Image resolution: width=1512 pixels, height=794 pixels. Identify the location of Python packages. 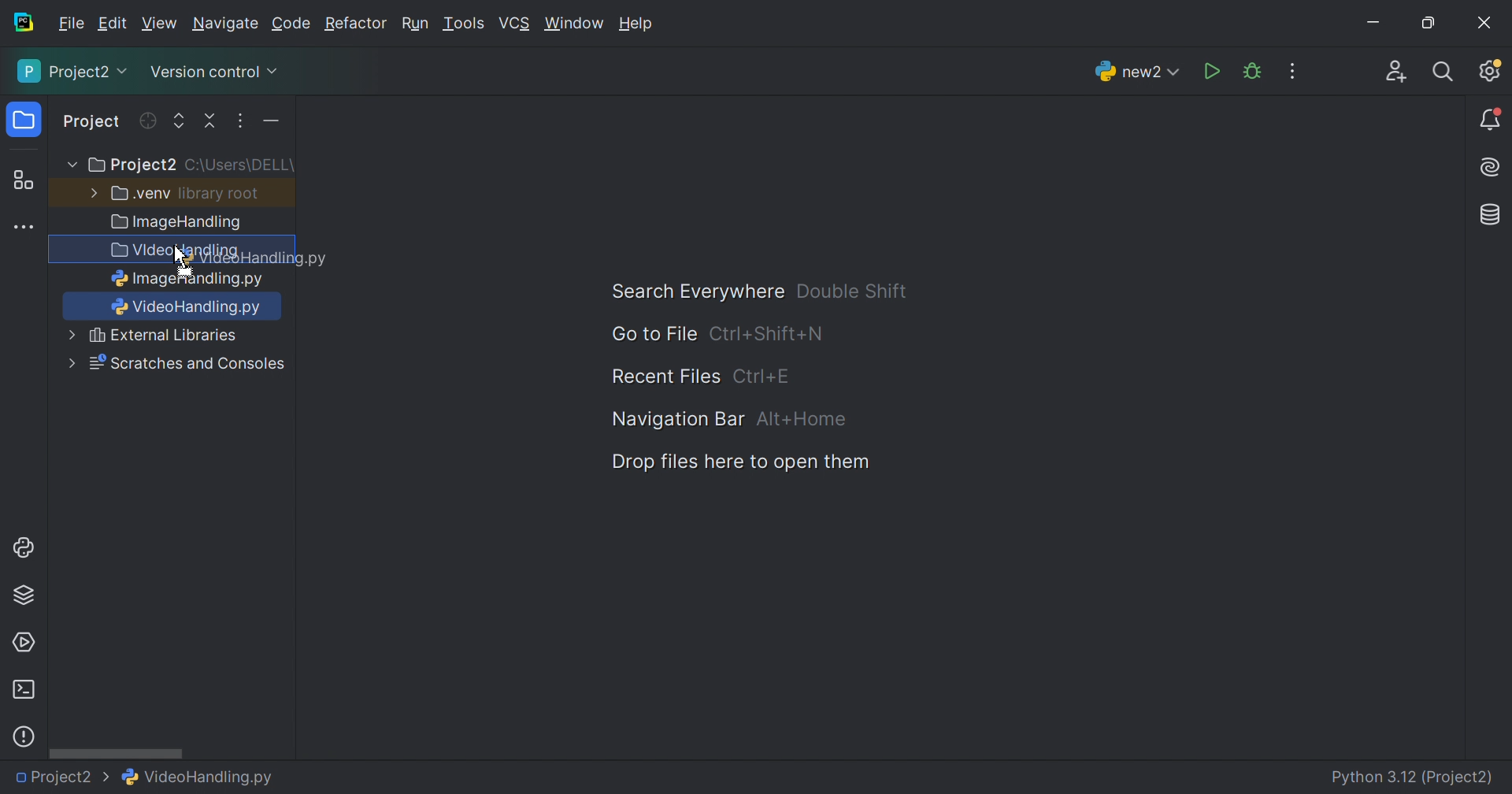
(24, 594).